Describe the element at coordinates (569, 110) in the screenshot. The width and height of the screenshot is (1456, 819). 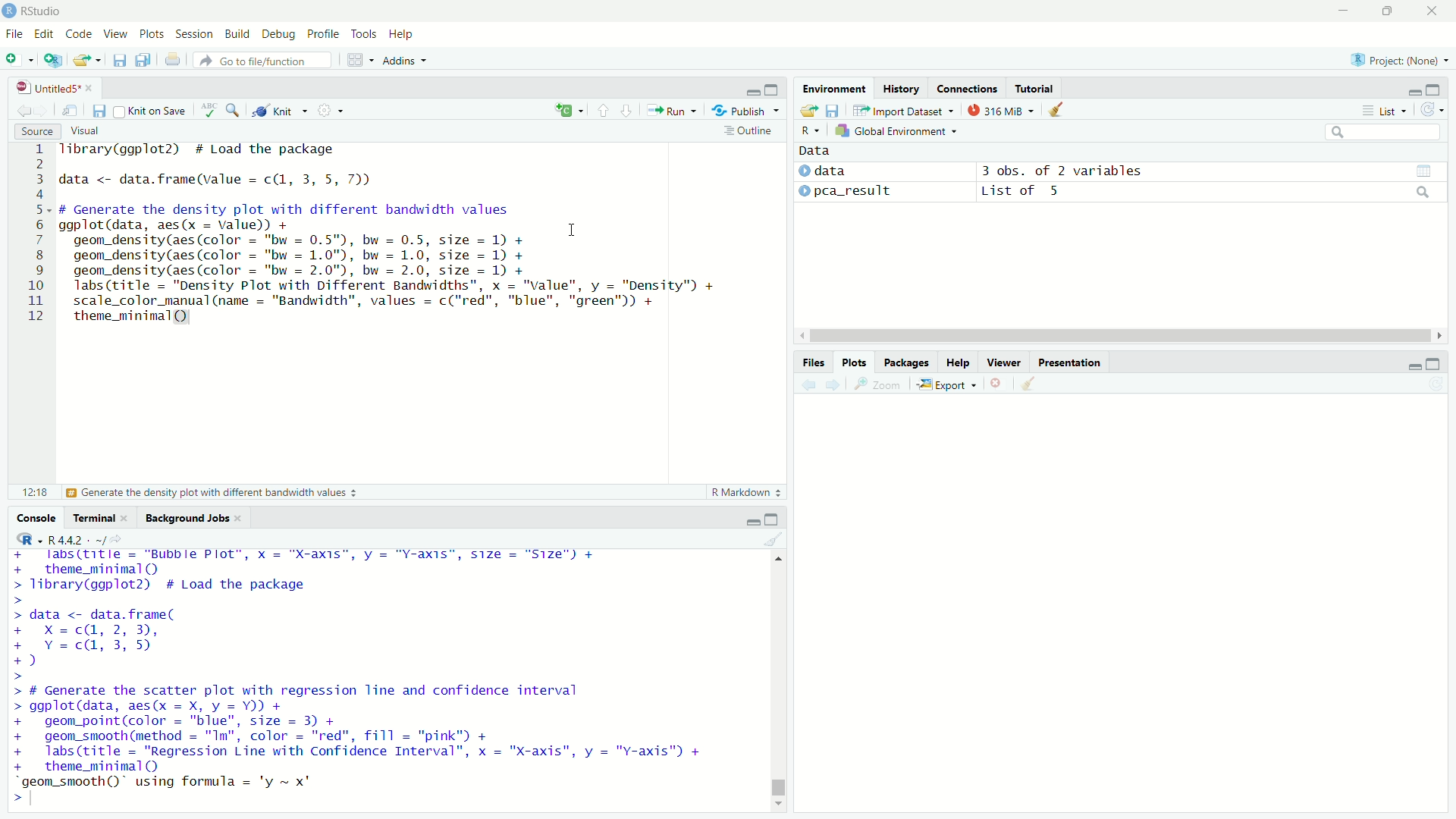
I see `insert a new code/chunk` at that location.